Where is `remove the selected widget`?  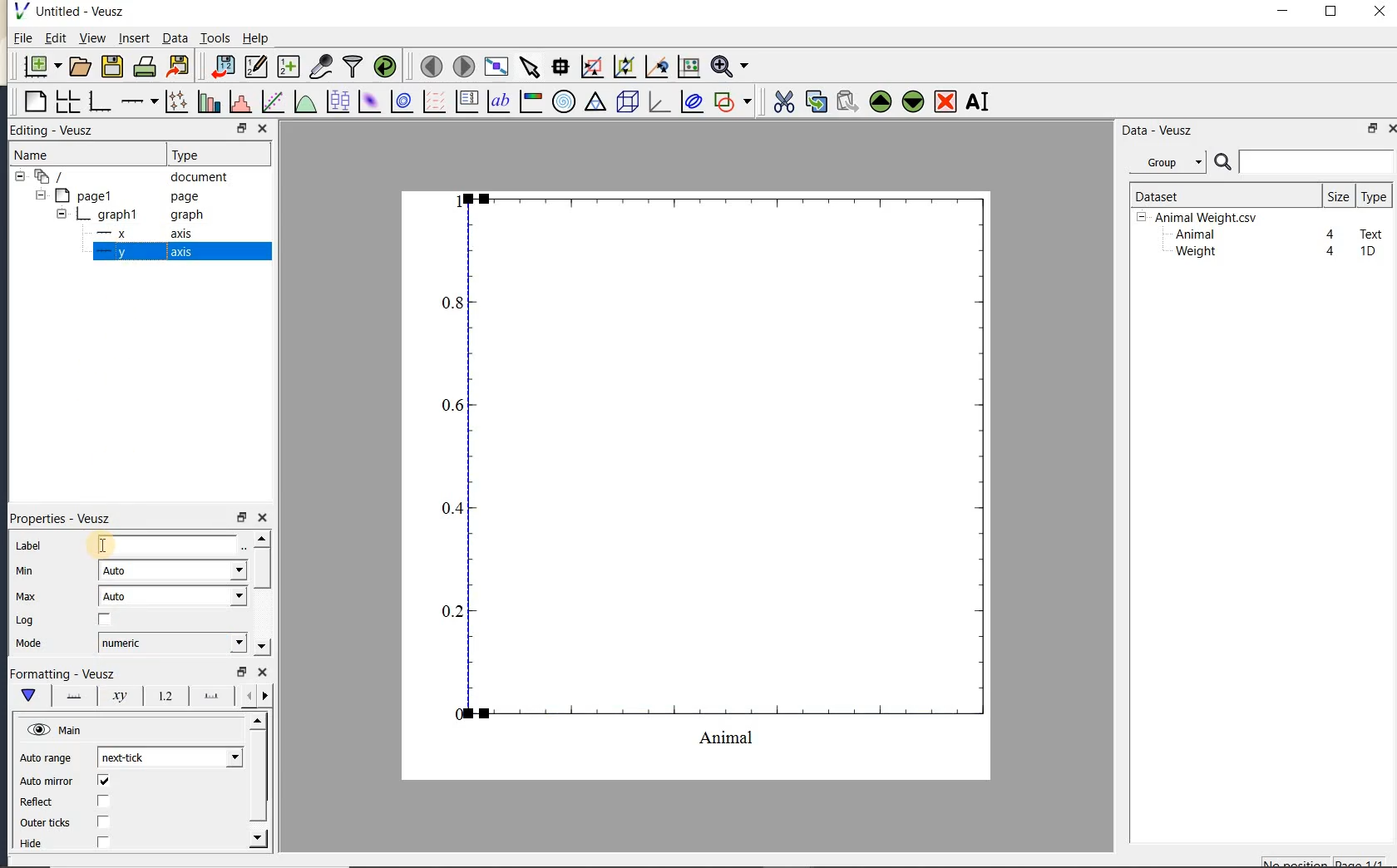
remove the selected widget is located at coordinates (944, 103).